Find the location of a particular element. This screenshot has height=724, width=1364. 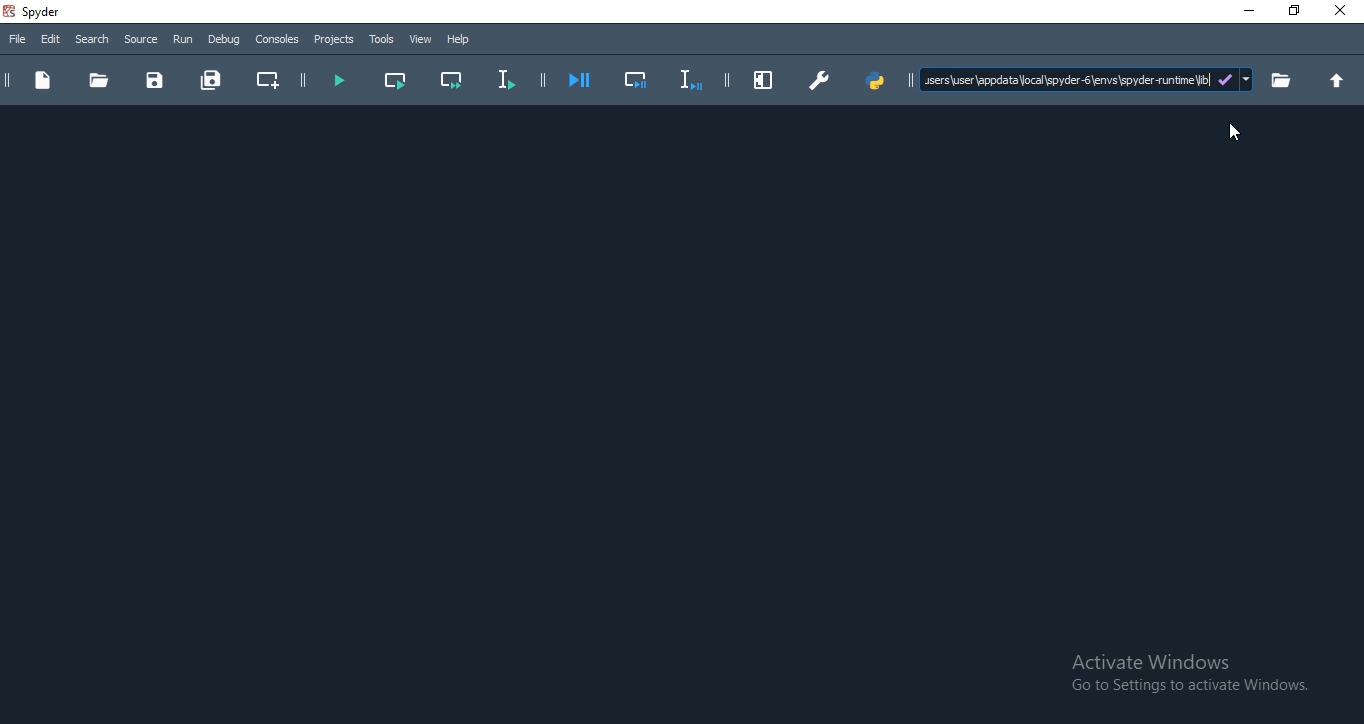

Default Start Pane is located at coordinates (678, 413).